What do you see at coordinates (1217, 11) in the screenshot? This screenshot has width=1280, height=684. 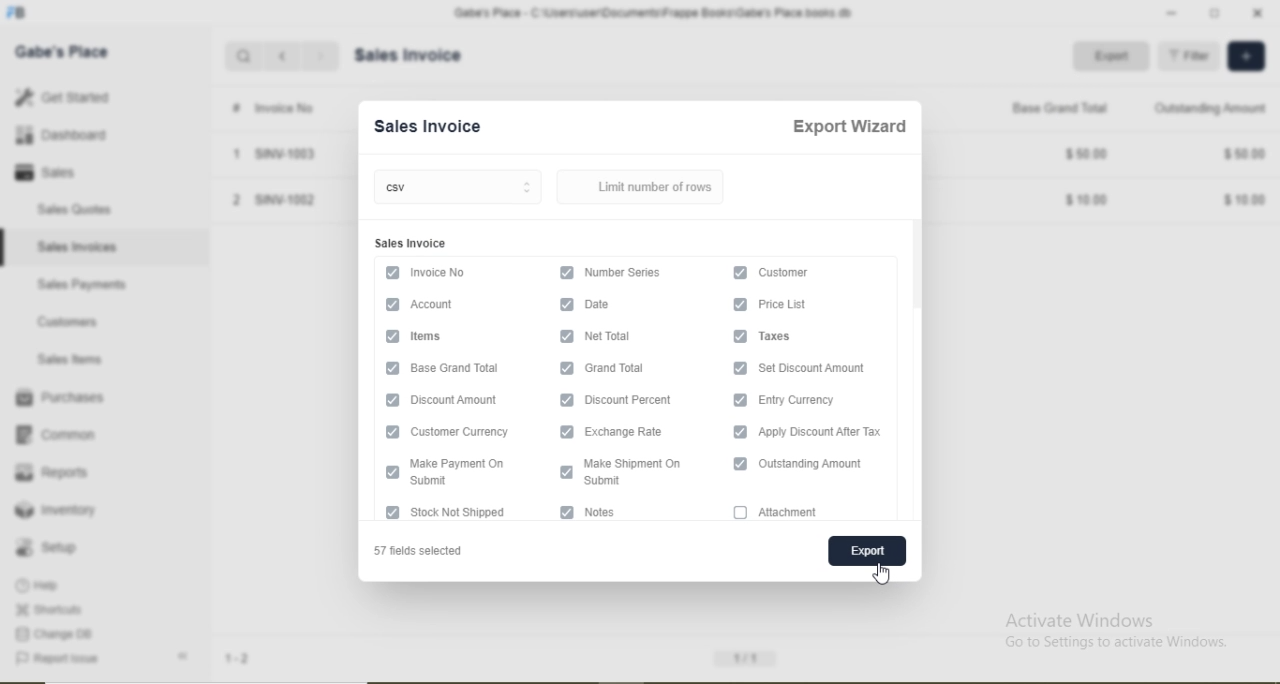 I see `maximise` at bounding box center [1217, 11].